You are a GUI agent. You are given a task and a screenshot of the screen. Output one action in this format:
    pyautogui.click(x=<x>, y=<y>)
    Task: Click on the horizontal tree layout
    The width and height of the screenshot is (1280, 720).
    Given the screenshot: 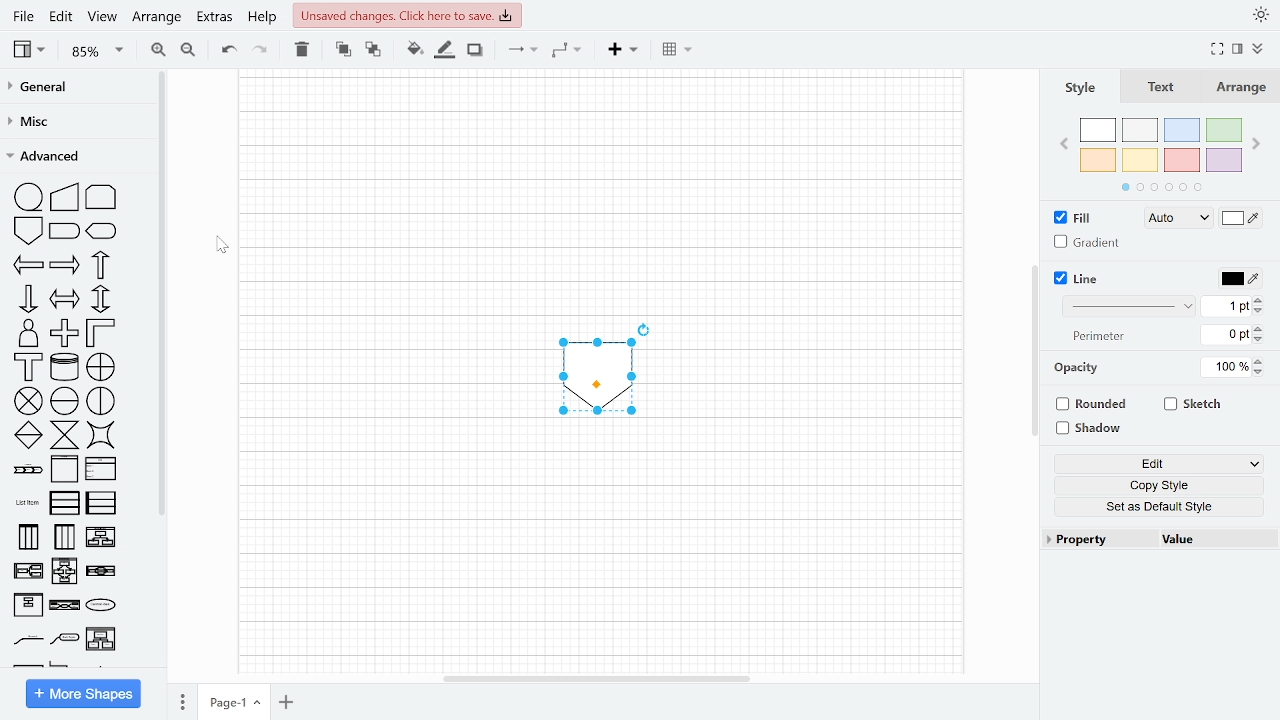 What is the action you would take?
    pyautogui.click(x=66, y=571)
    